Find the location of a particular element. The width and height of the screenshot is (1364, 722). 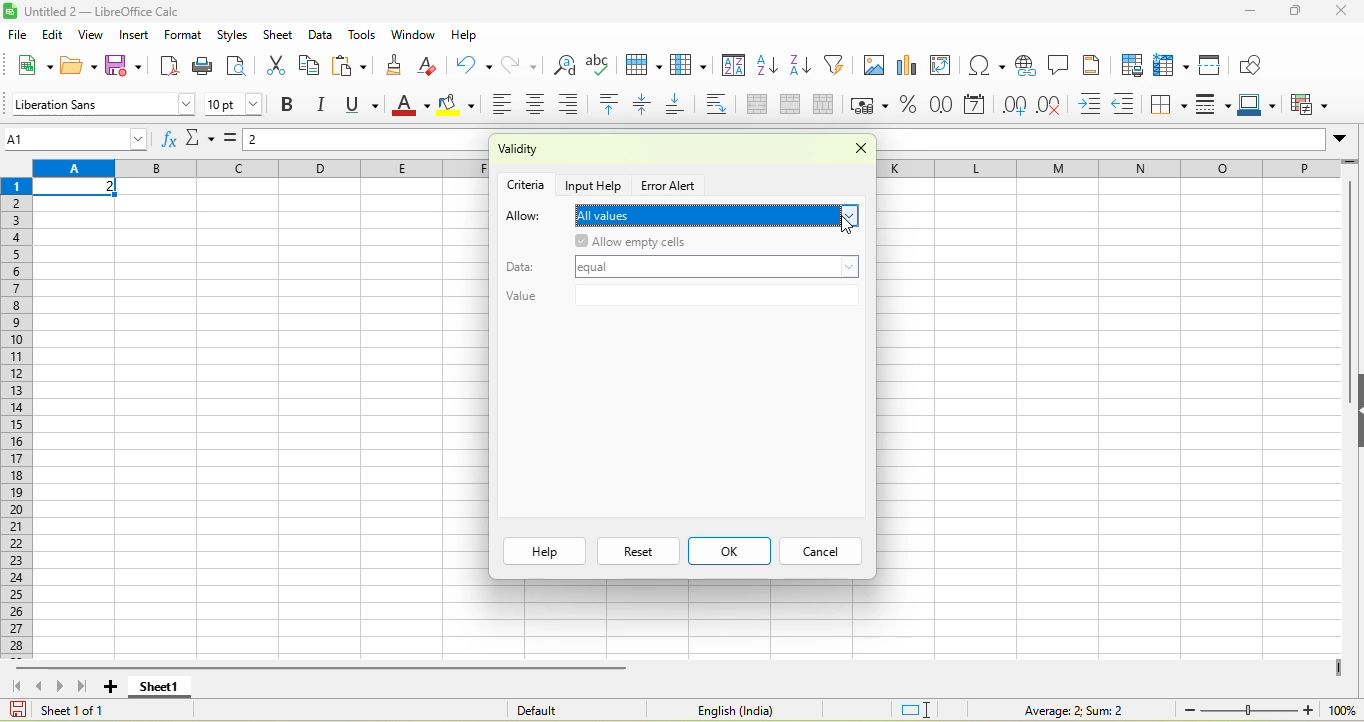

format as number is located at coordinates (943, 106).